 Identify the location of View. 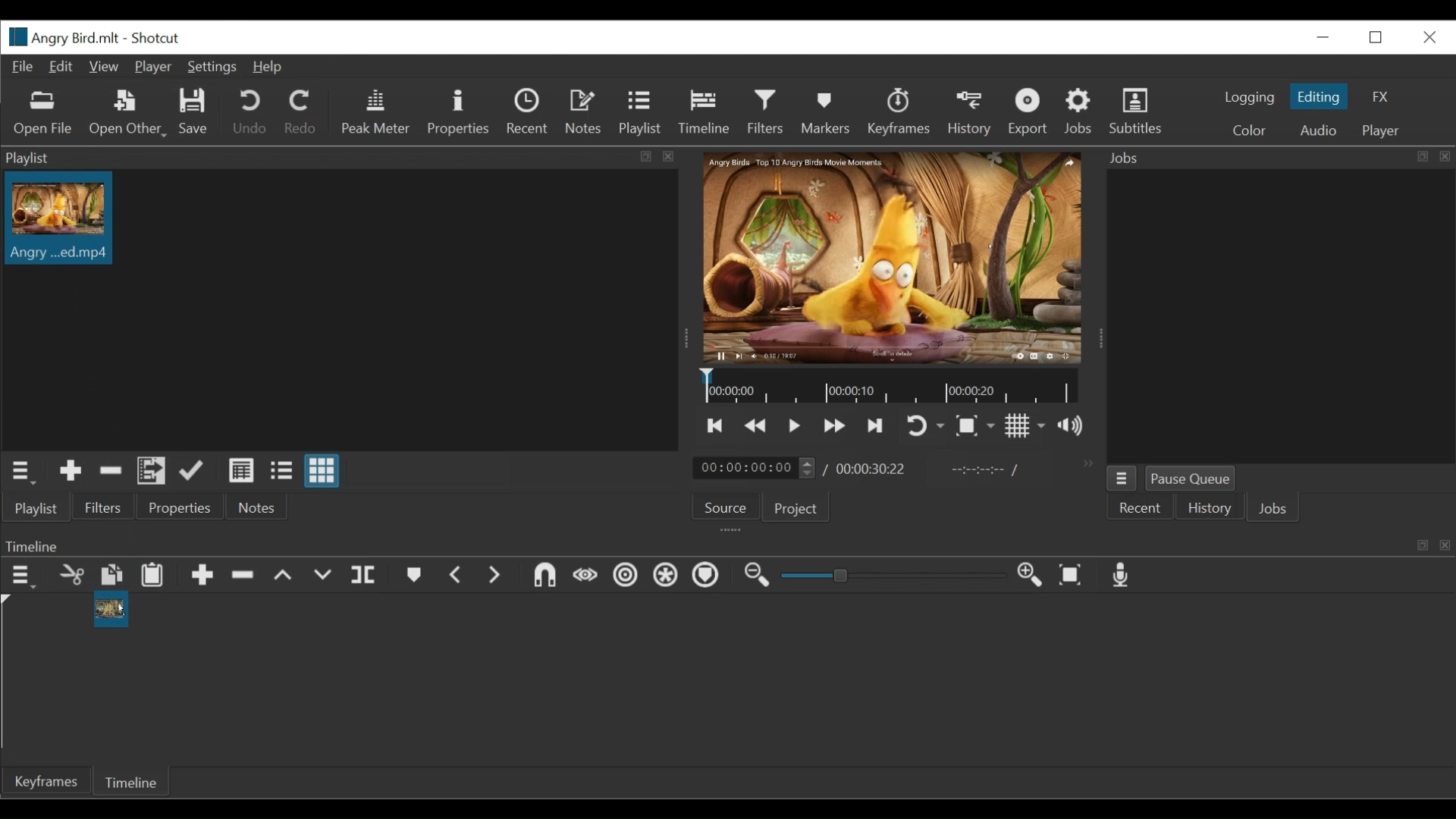
(103, 67).